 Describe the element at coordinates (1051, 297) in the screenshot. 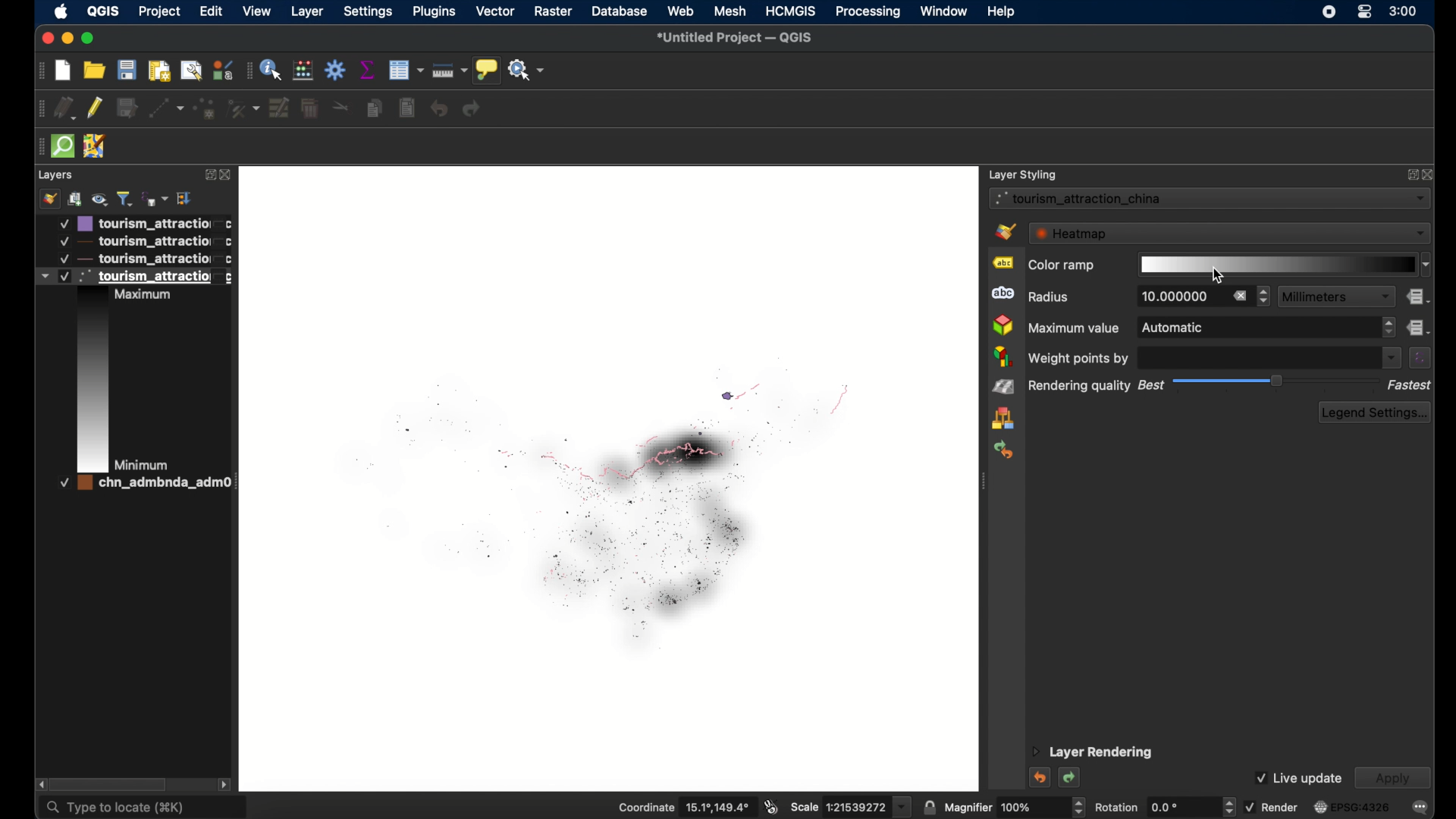

I see `radius` at that location.